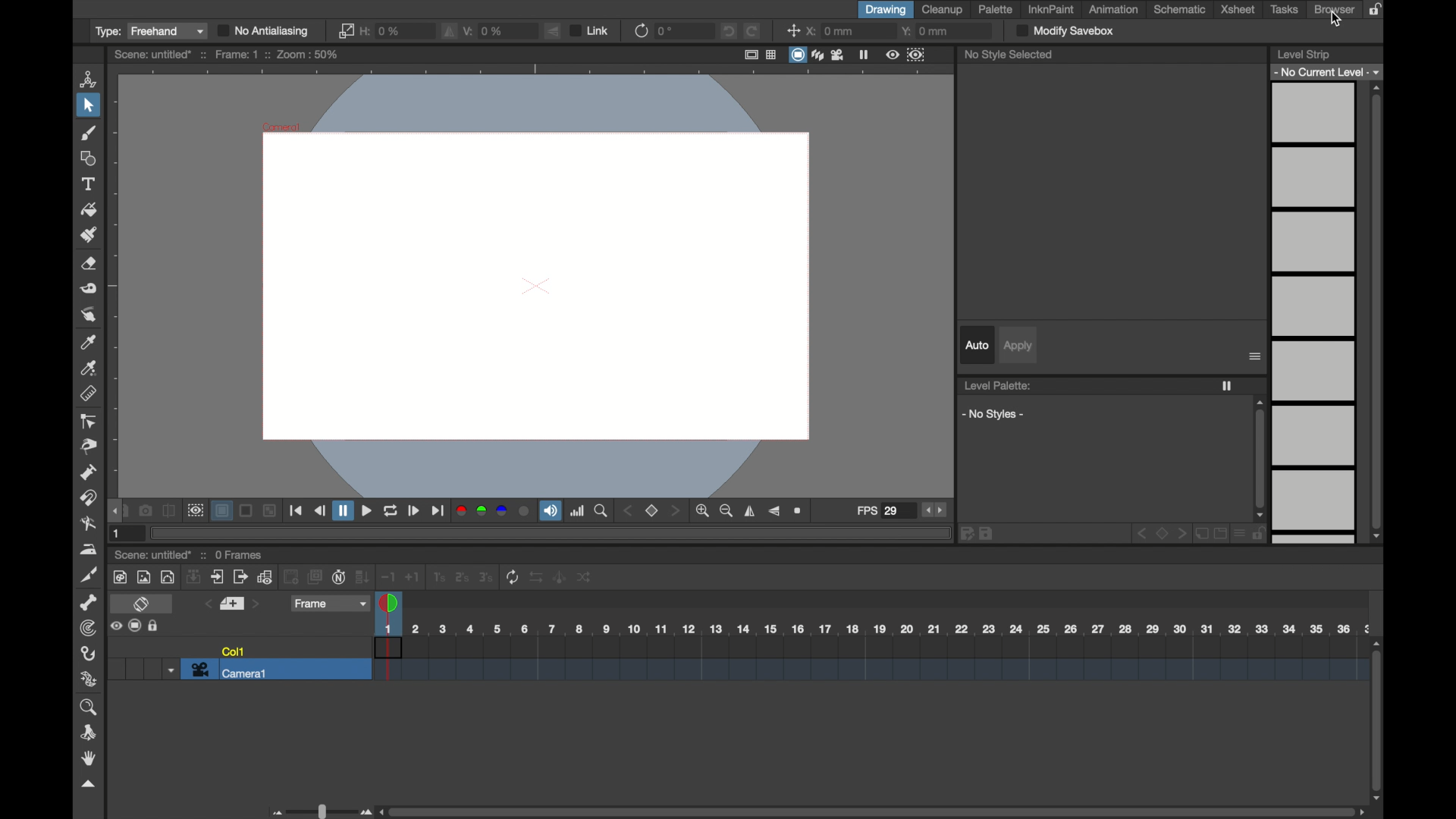 Image resolution: width=1456 pixels, height=819 pixels. Describe the element at coordinates (89, 498) in the screenshot. I see `magnet tool` at that location.